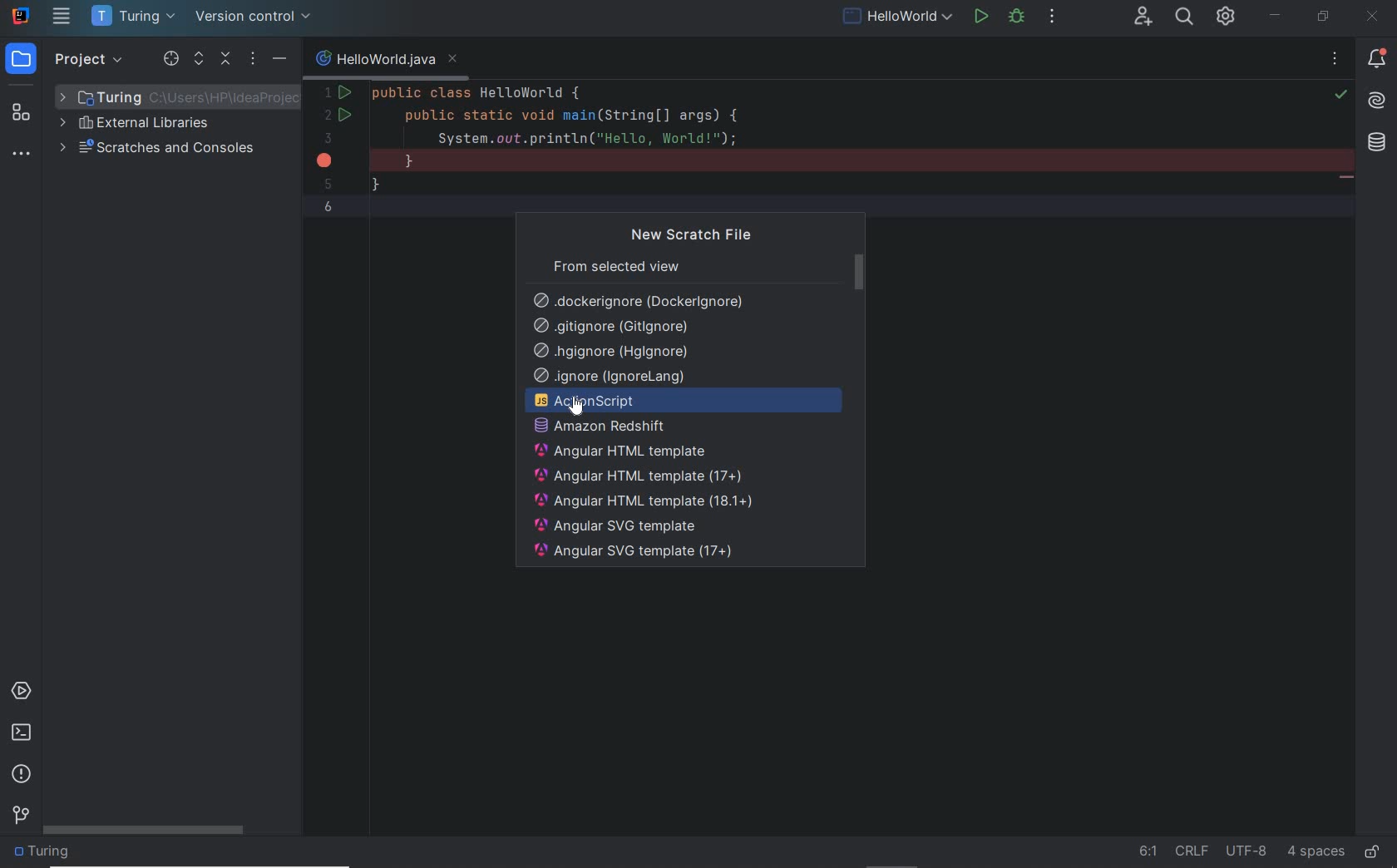  Describe the element at coordinates (23, 154) in the screenshot. I see `more tool windows` at that location.